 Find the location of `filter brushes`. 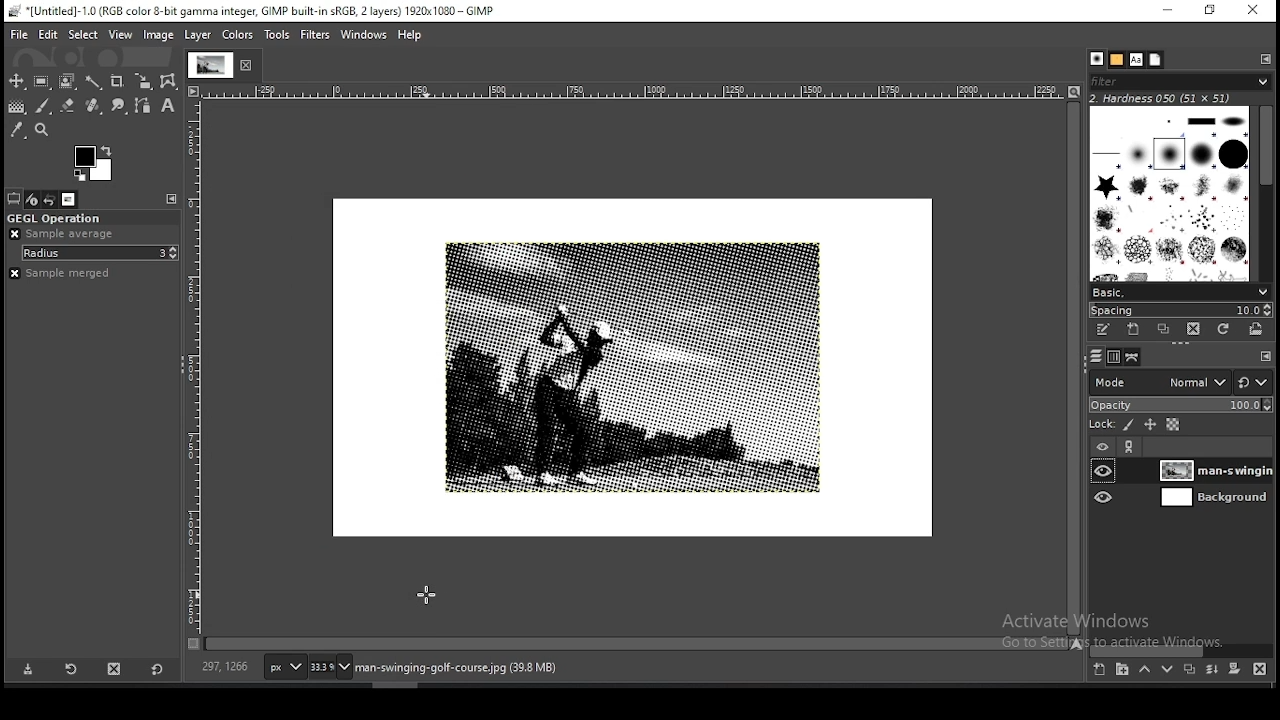

filter brushes is located at coordinates (1179, 82).